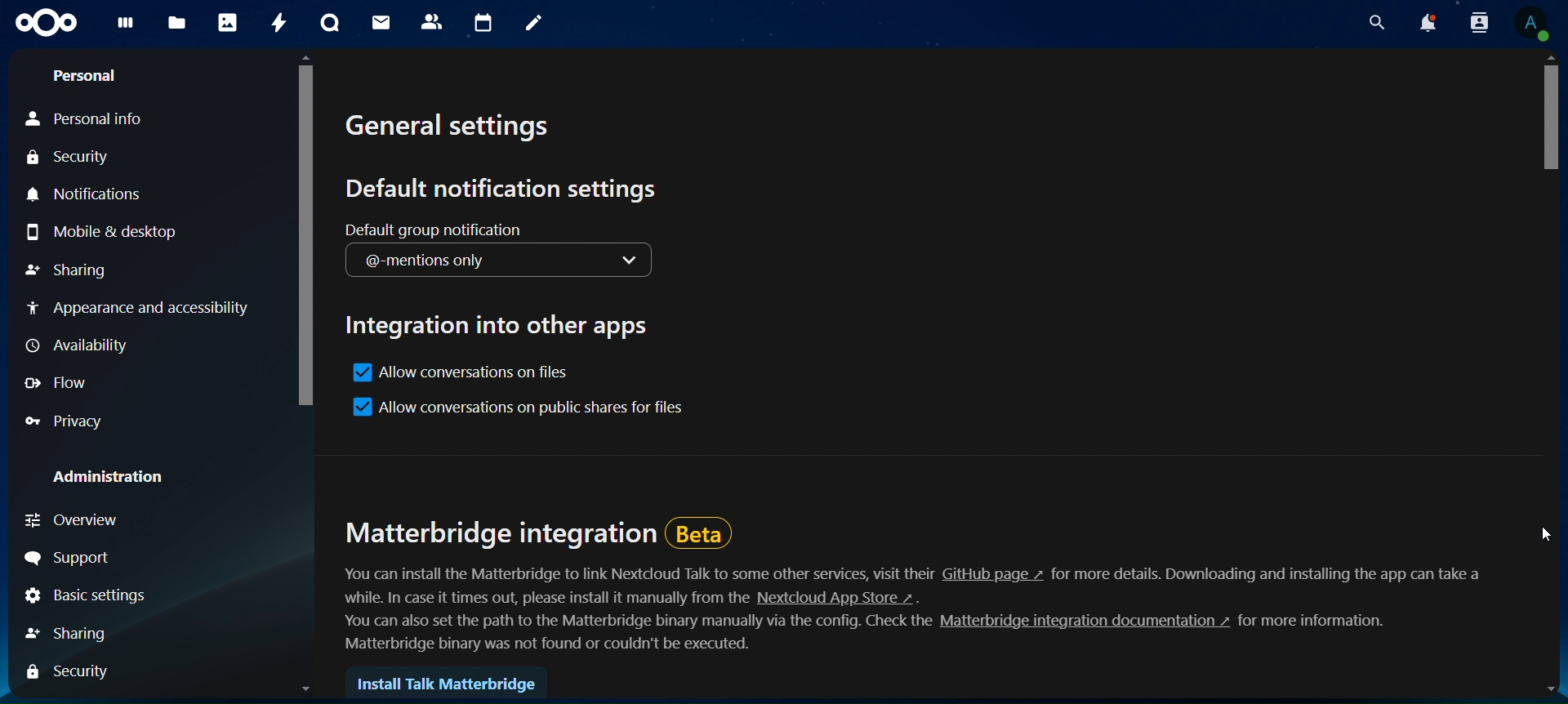 This screenshot has width=1568, height=704. Describe the element at coordinates (447, 683) in the screenshot. I see `install talk matterbridge` at that location.